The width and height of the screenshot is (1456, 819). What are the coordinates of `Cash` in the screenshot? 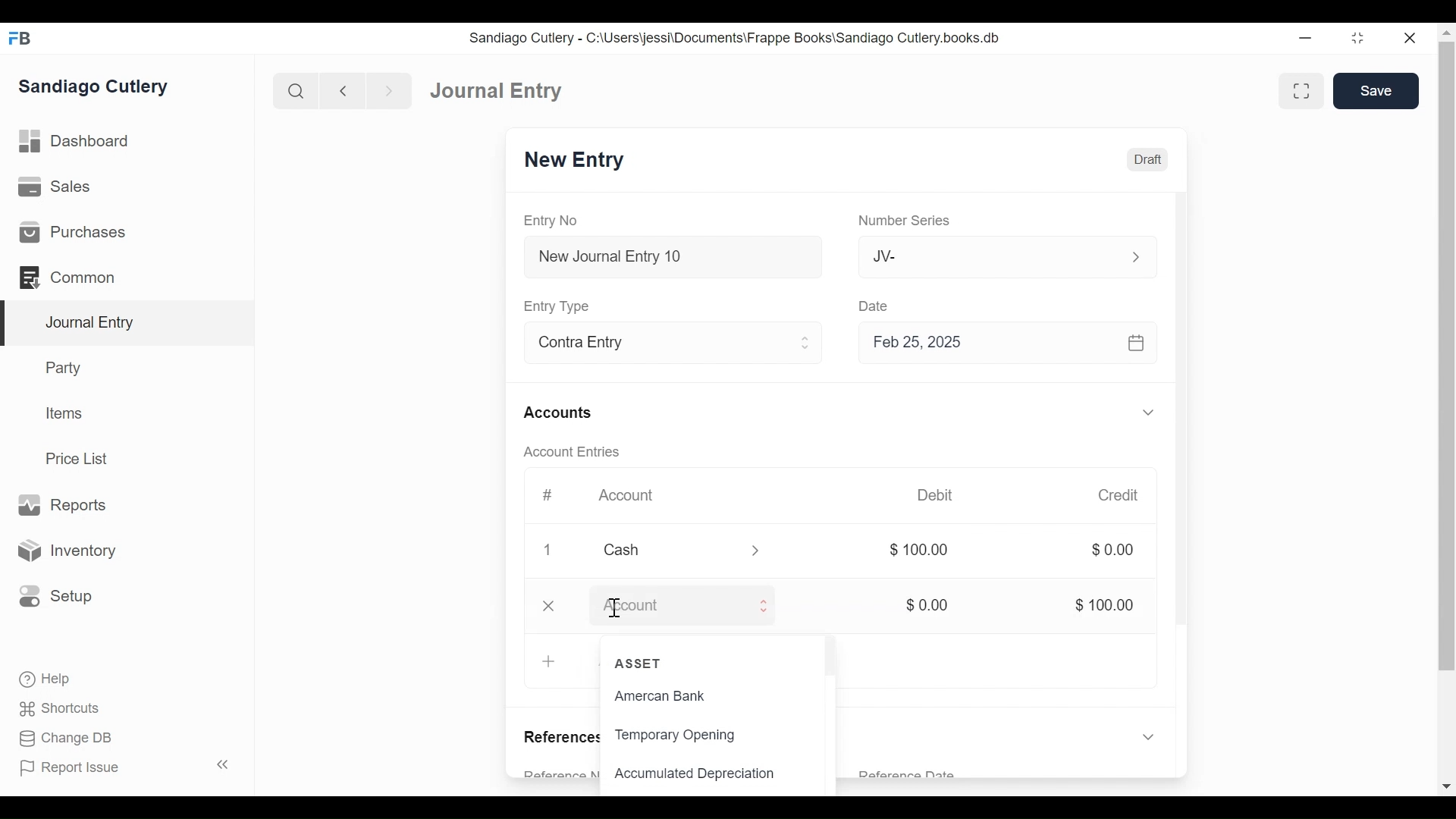 It's located at (662, 551).